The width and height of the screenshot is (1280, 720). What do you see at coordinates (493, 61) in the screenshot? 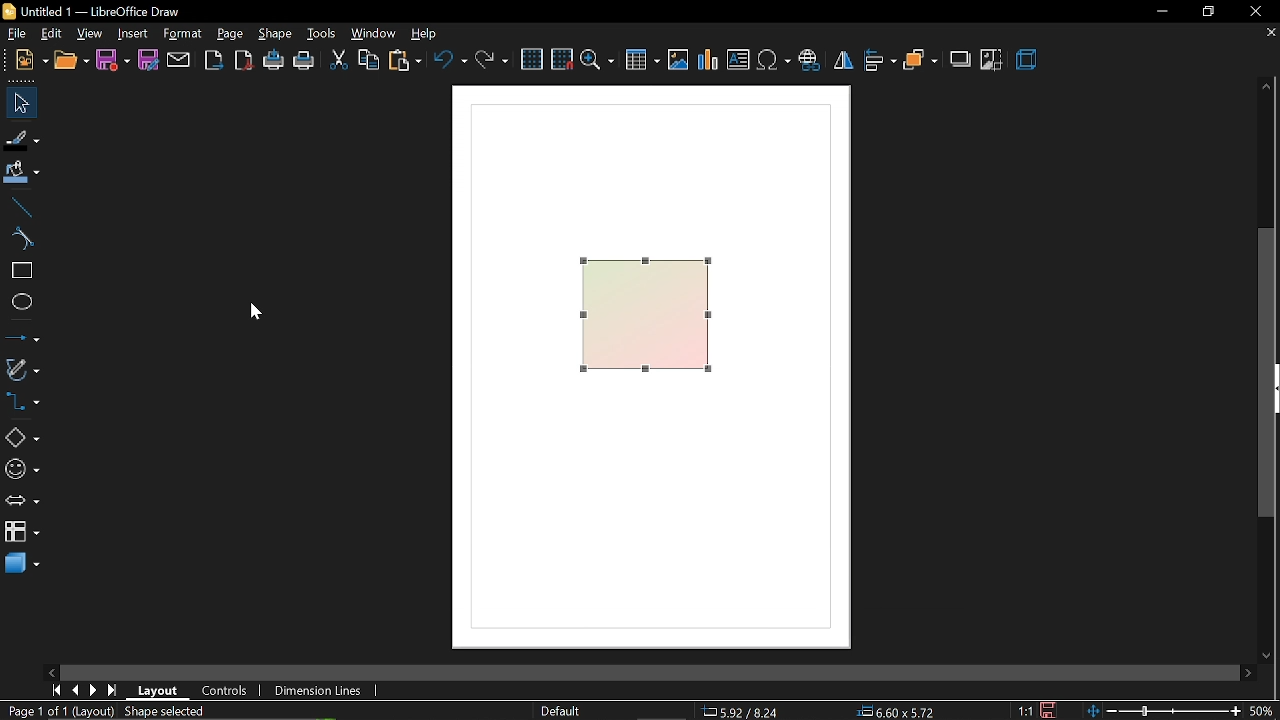
I see `redo` at bounding box center [493, 61].